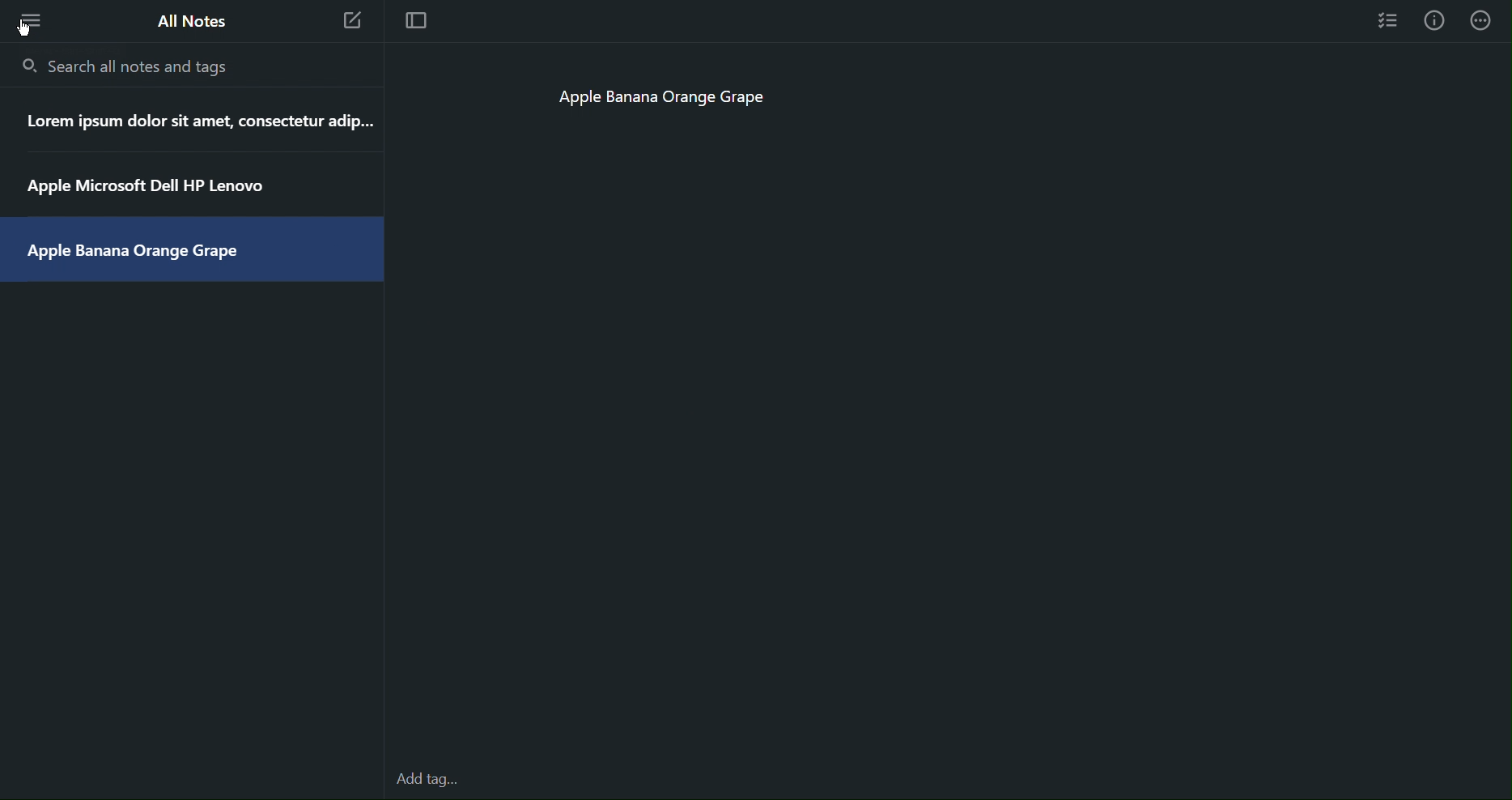 The width and height of the screenshot is (1512, 800). Describe the element at coordinates (353, 23) in the screenshot. I see `New Note` at that location.